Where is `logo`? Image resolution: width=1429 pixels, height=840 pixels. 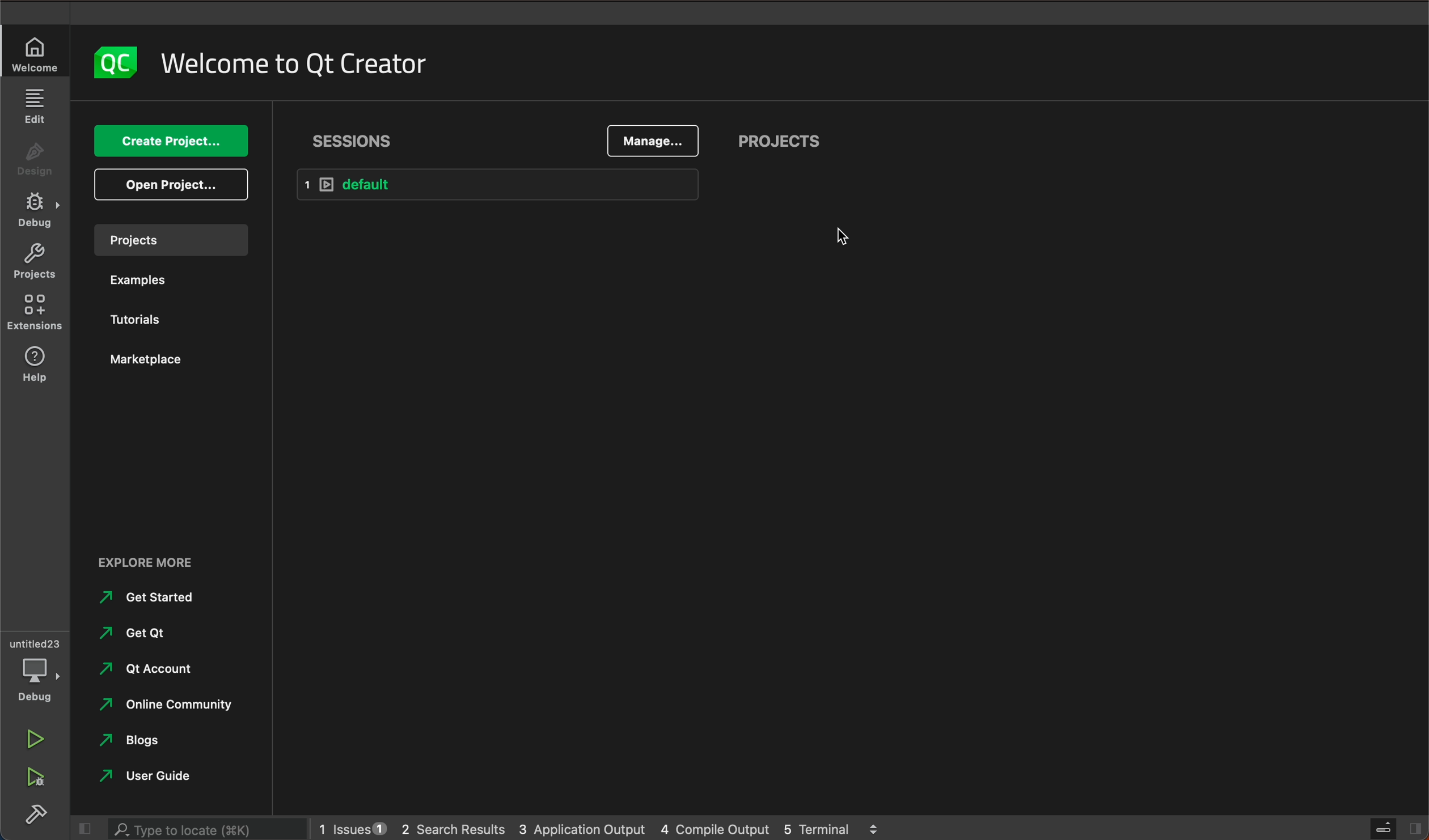
logo is located at coordinates (116, 64).